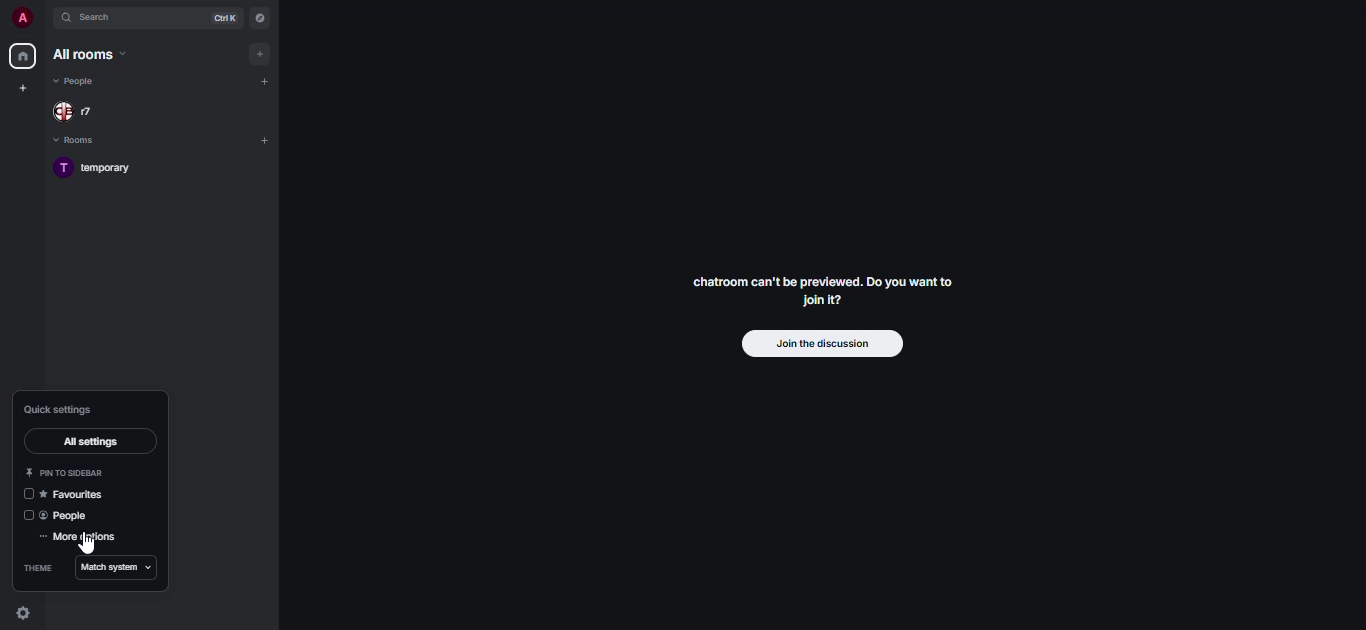  Describe the element at coordinates (109, 169) in the screenshot. I see `room` at that location.